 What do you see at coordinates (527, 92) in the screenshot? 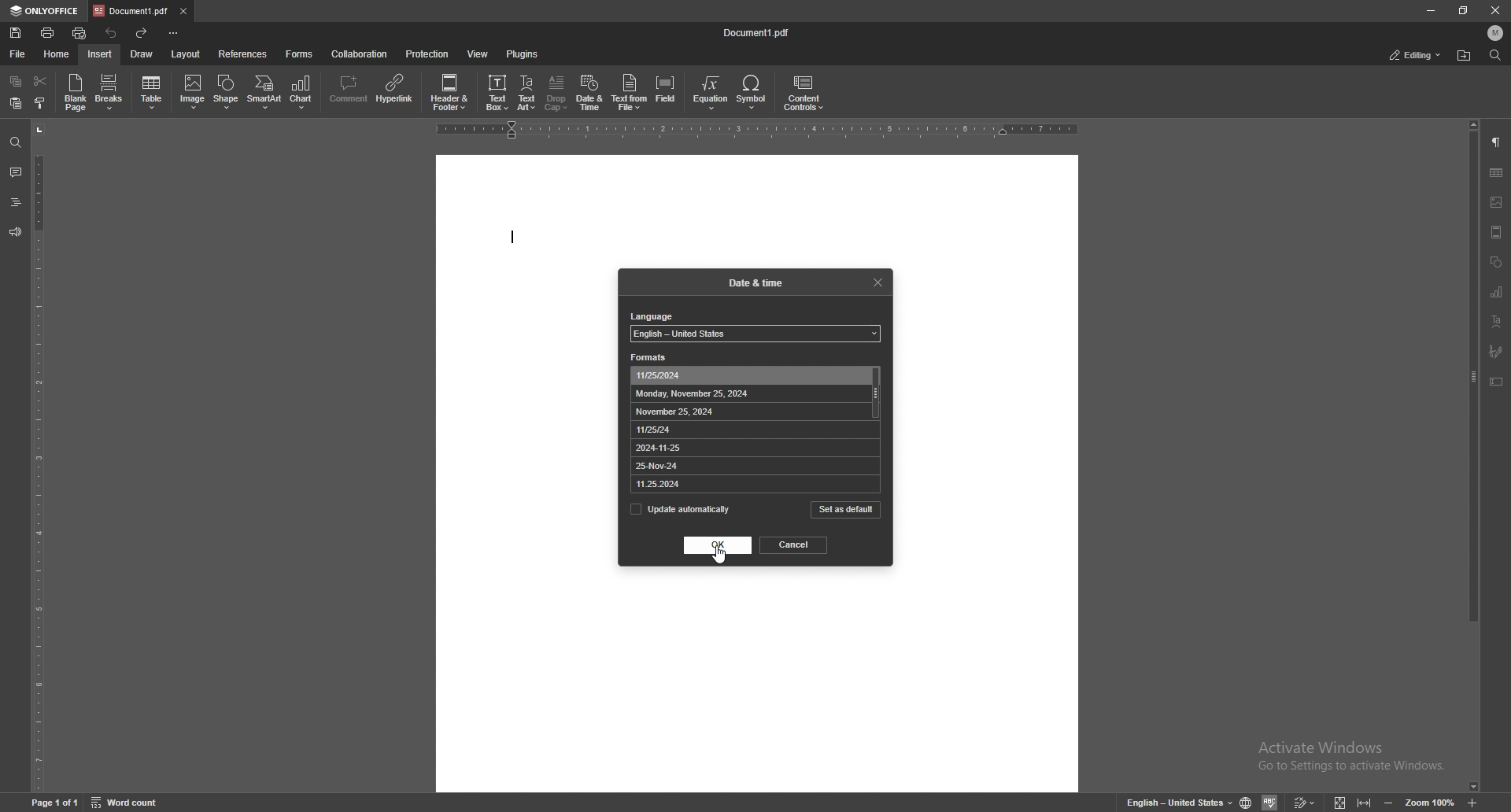
I see `text art` at bounding box center [527, 92].